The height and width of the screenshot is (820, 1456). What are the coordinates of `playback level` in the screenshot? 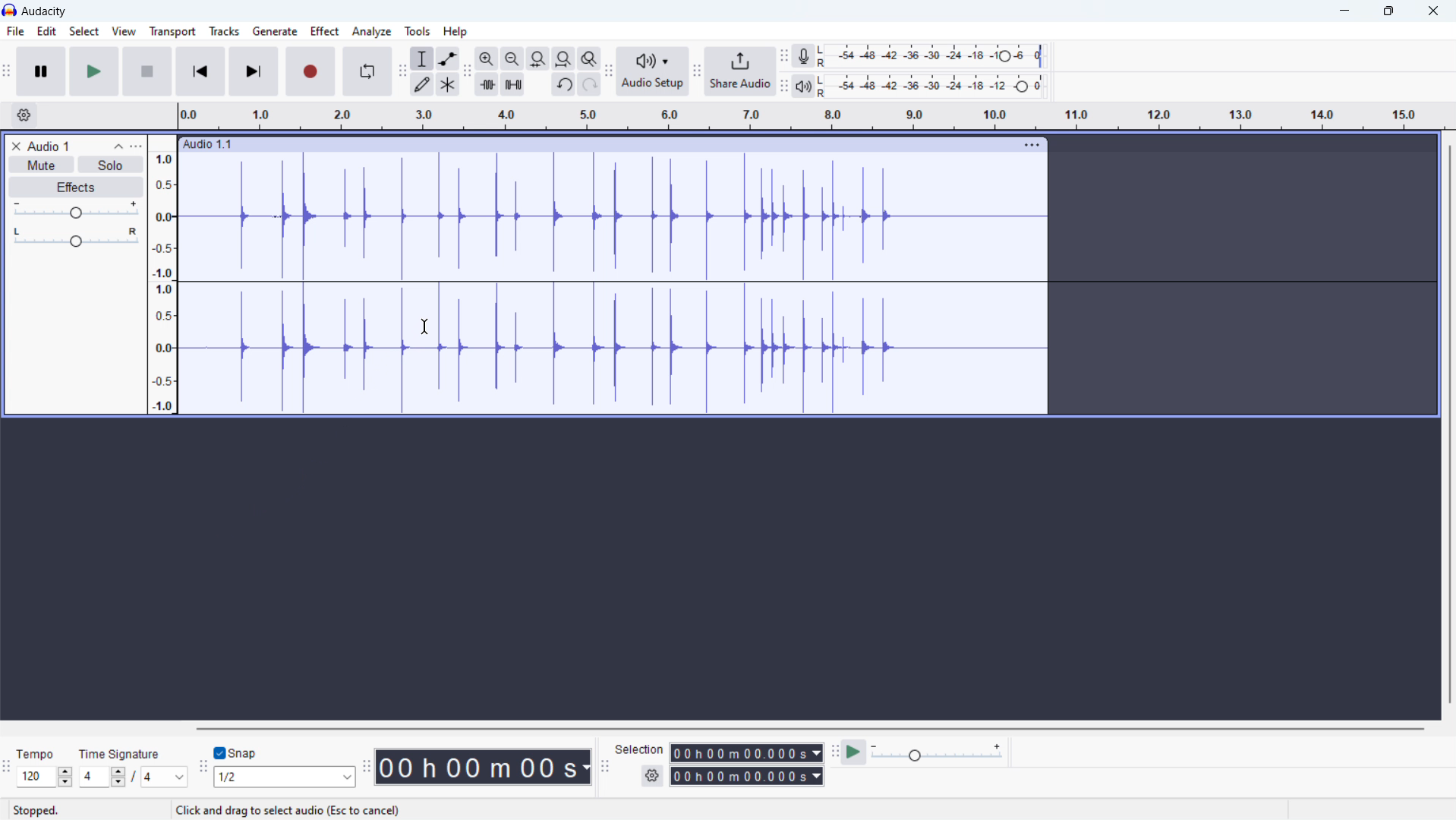 It's located at (938, 86).